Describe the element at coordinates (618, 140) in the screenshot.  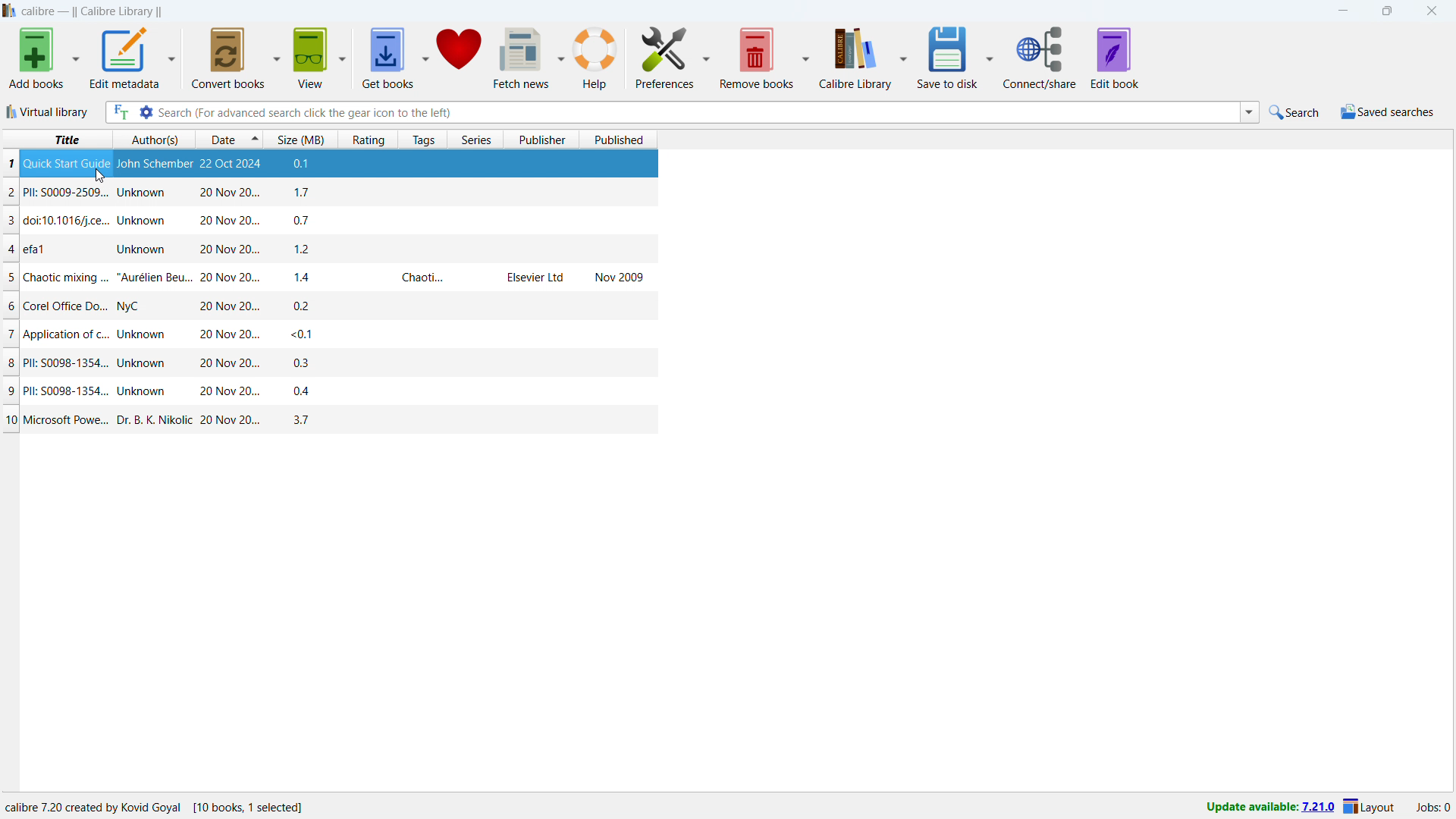
I see `sort by published` at that location.